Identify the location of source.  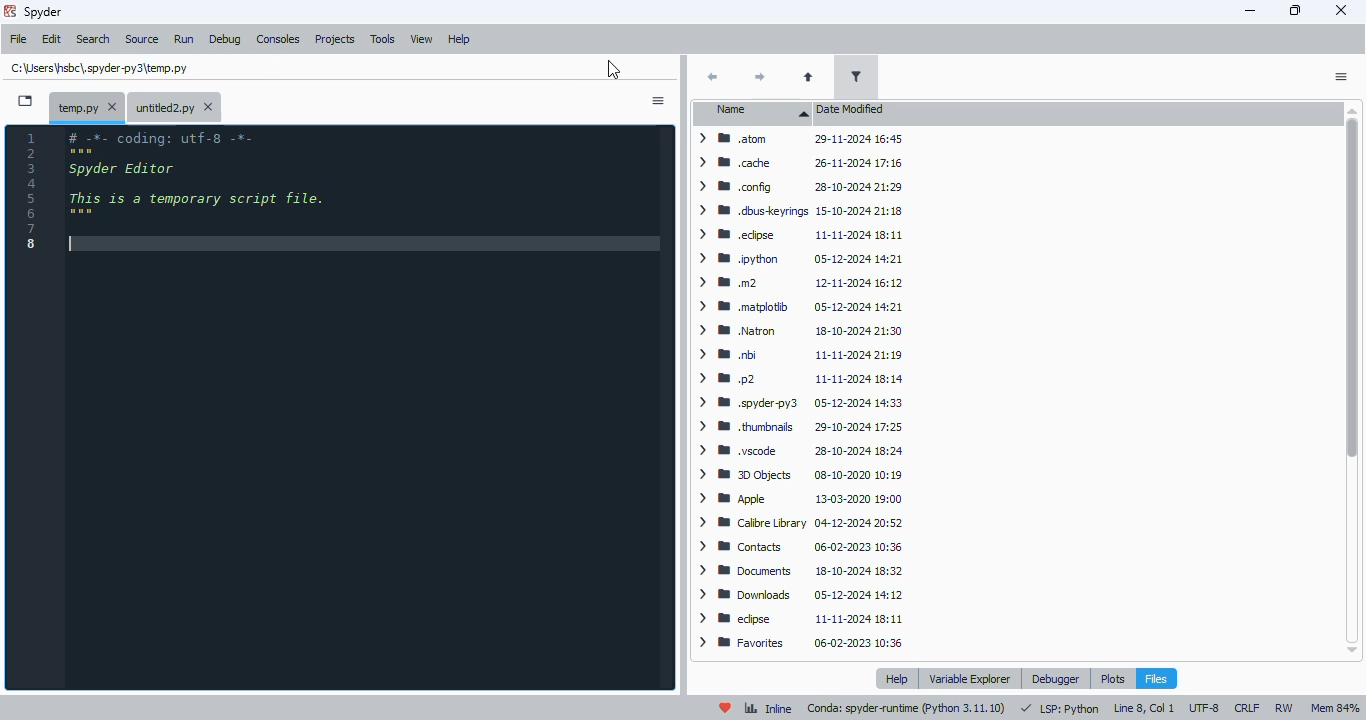
(143, 39).